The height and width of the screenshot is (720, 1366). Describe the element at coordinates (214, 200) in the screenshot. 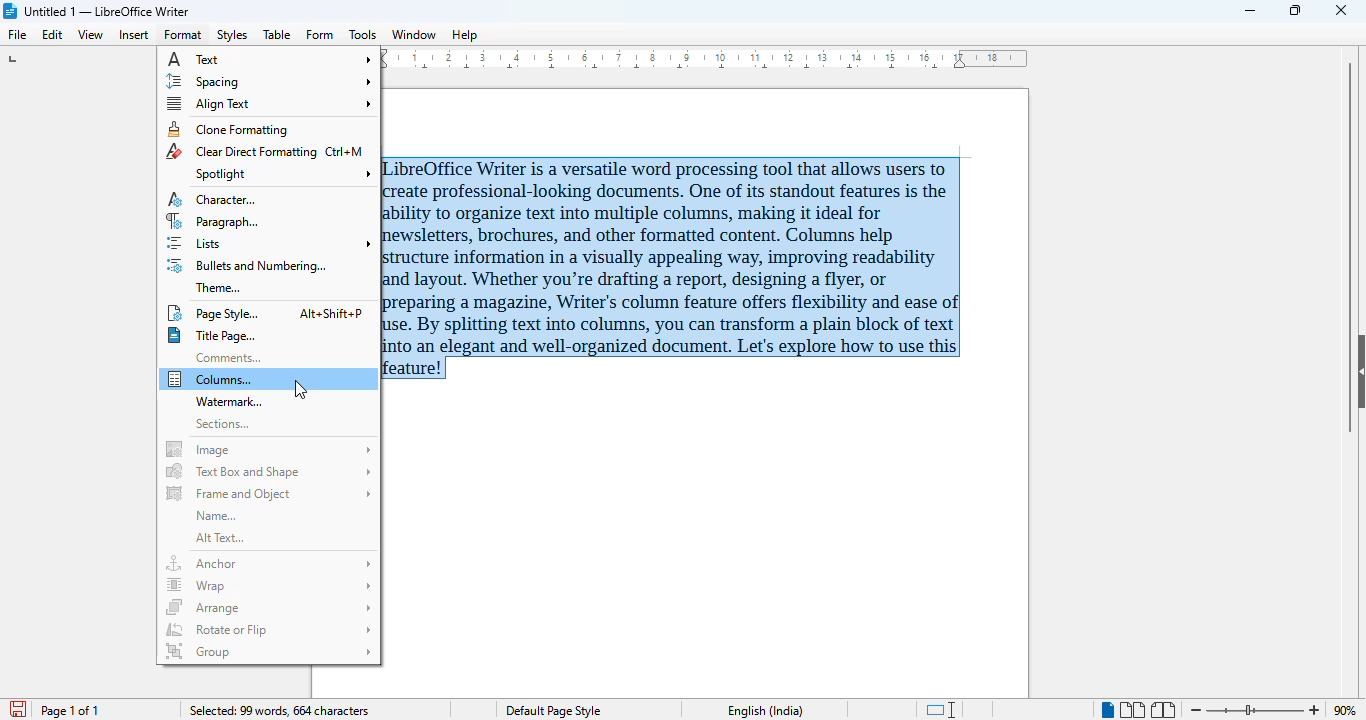

I see `character` at that location.